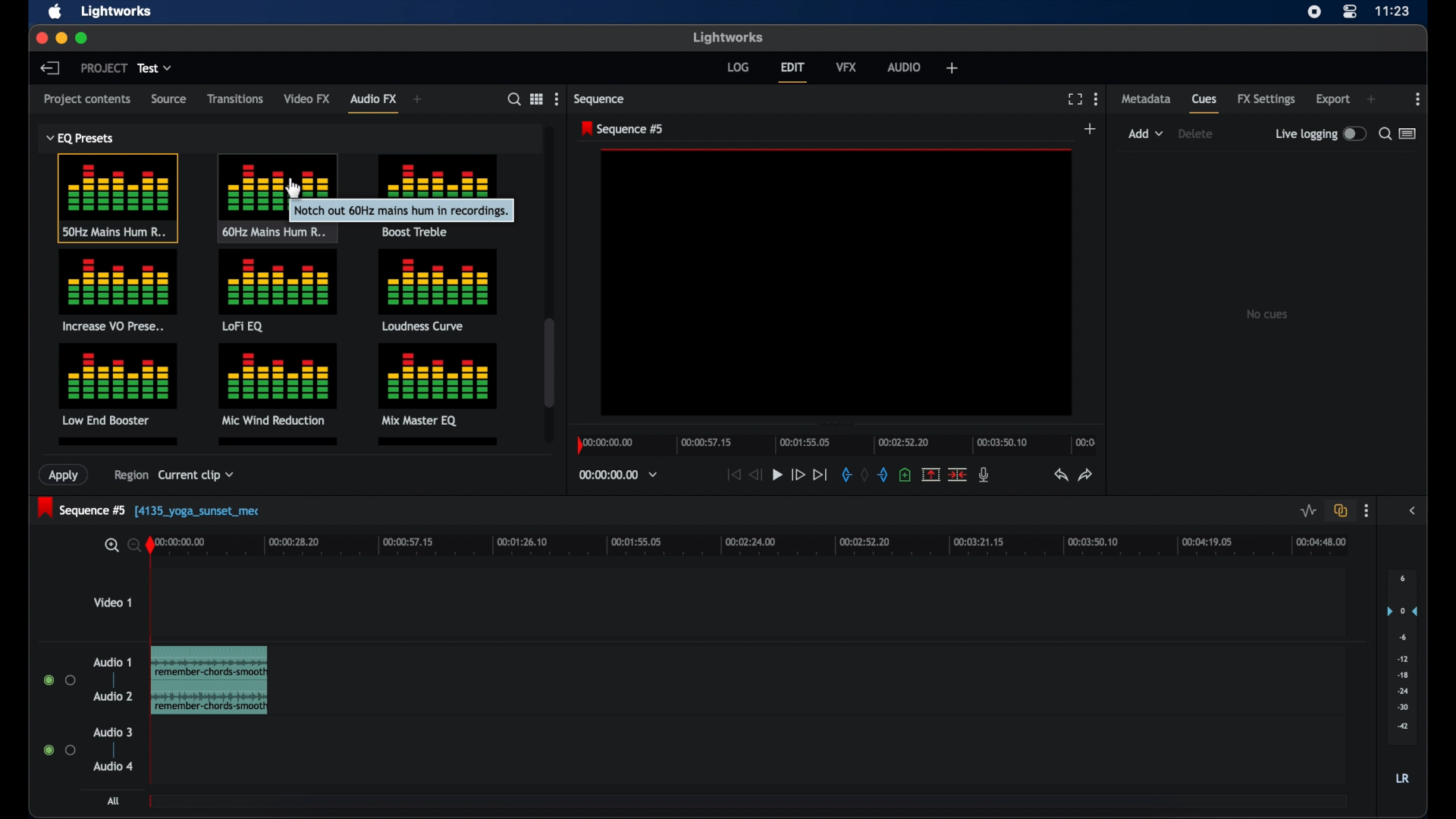  What do you see at coordinates (549, 362) in the screenshot?
I see `scroll box` at bounding box center [549, 362].